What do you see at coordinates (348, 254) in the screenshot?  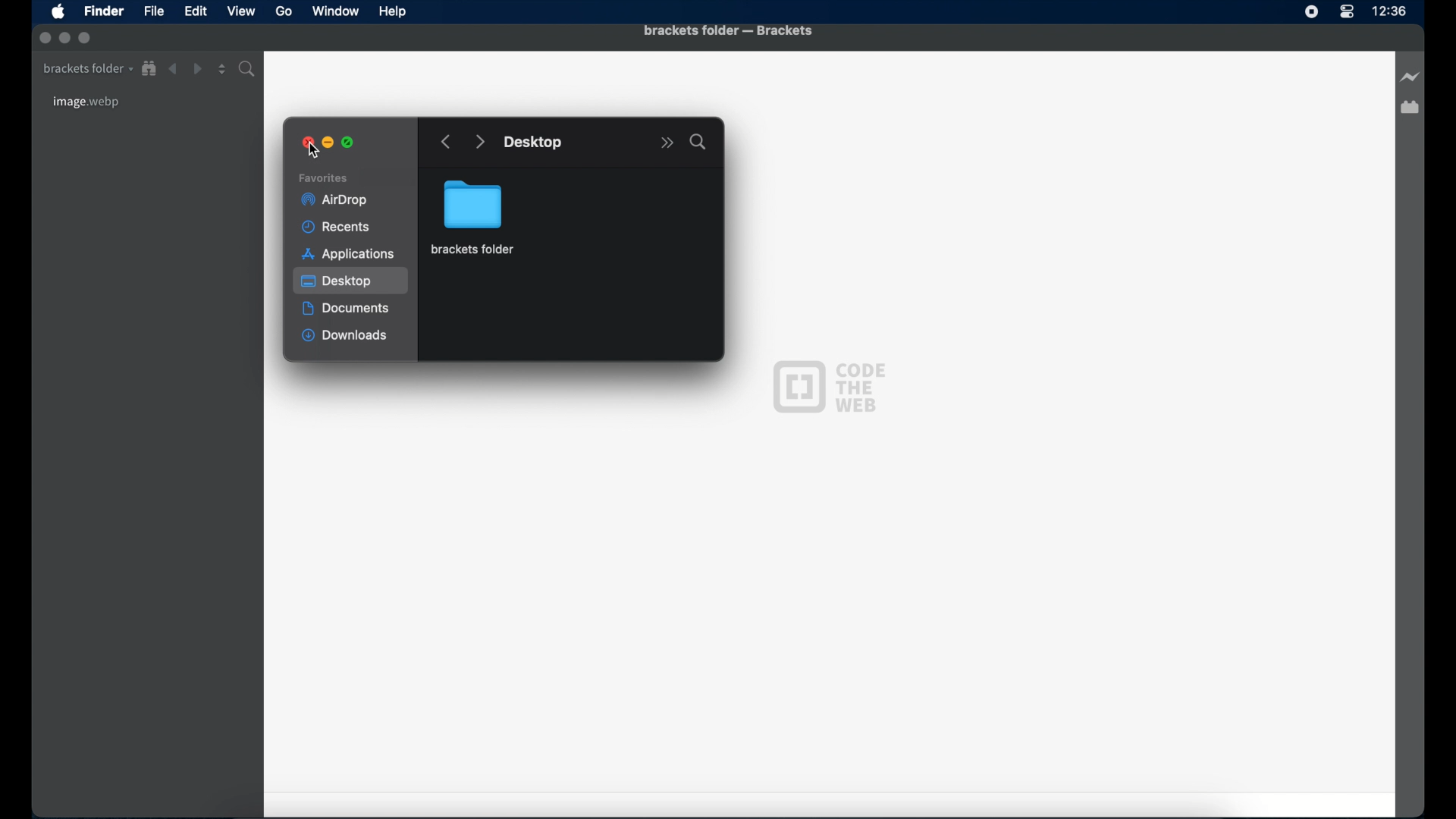 I see `applications` at bounding box center [348, 254].